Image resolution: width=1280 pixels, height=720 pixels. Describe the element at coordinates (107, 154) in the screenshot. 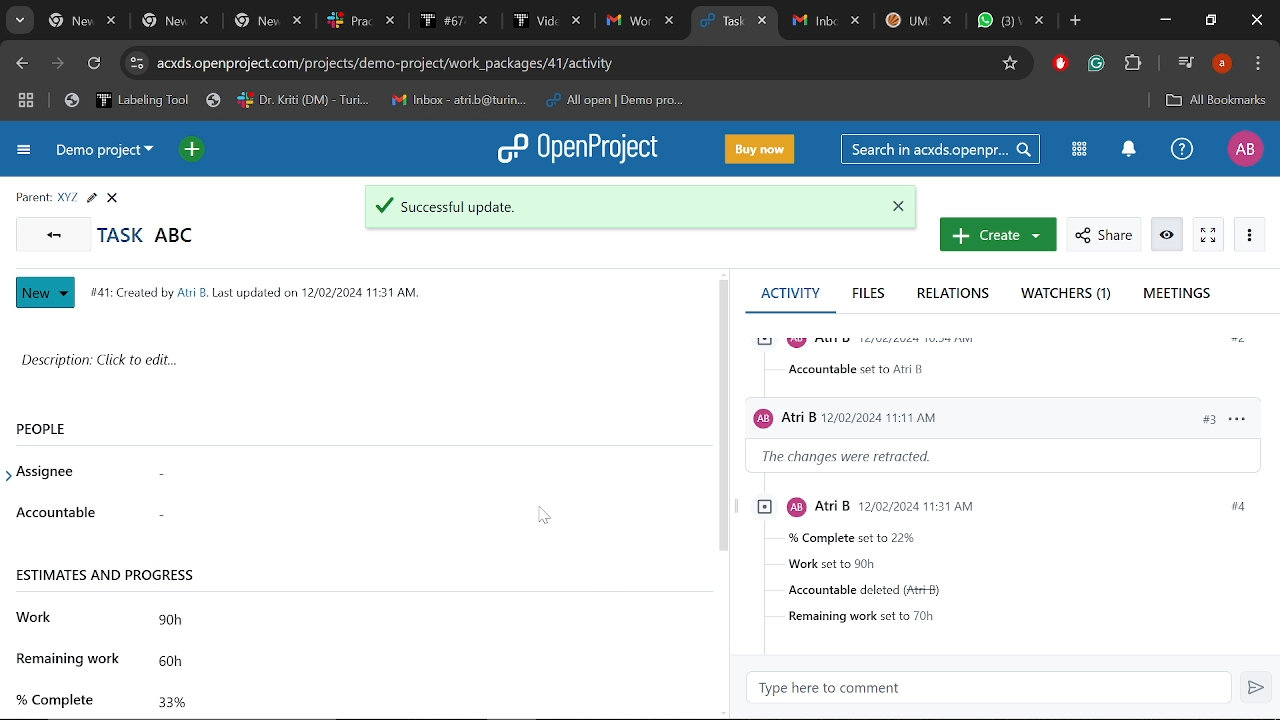

I see `Current projrct` at that location.